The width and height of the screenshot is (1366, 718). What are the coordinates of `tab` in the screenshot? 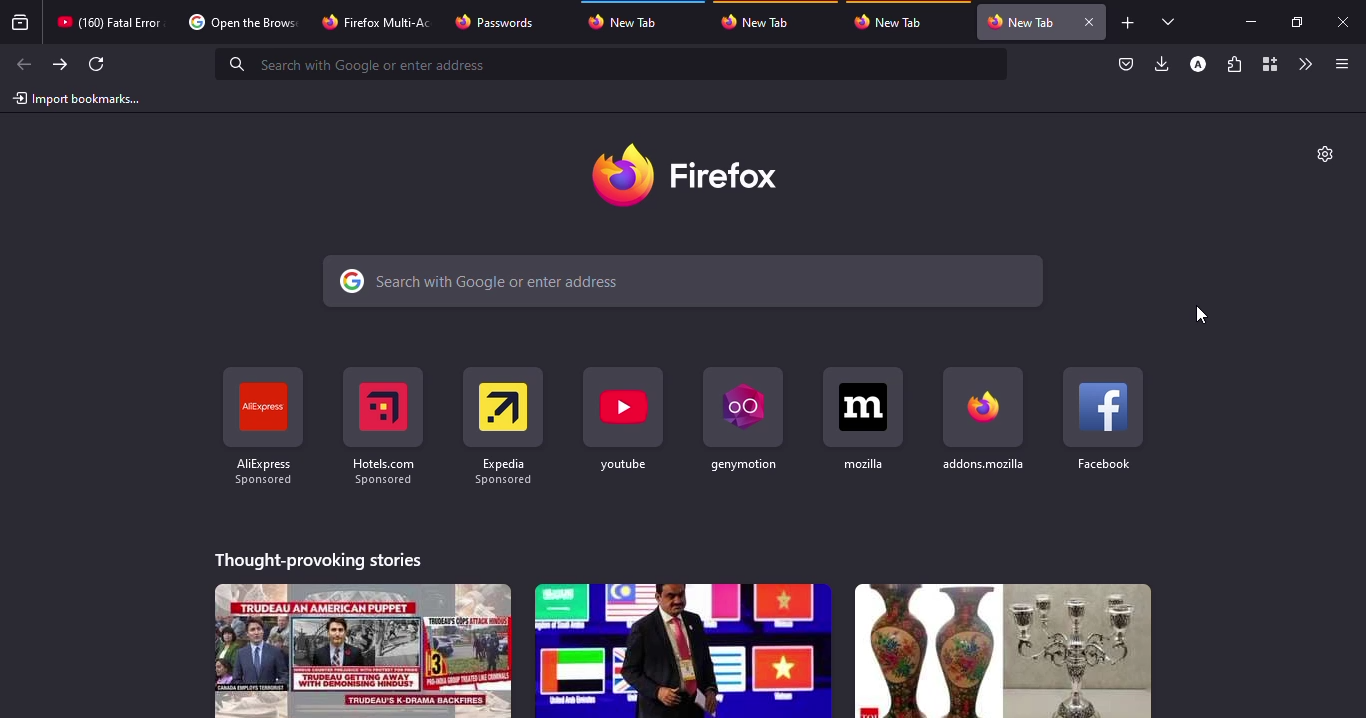 It's located at (1022, 19).